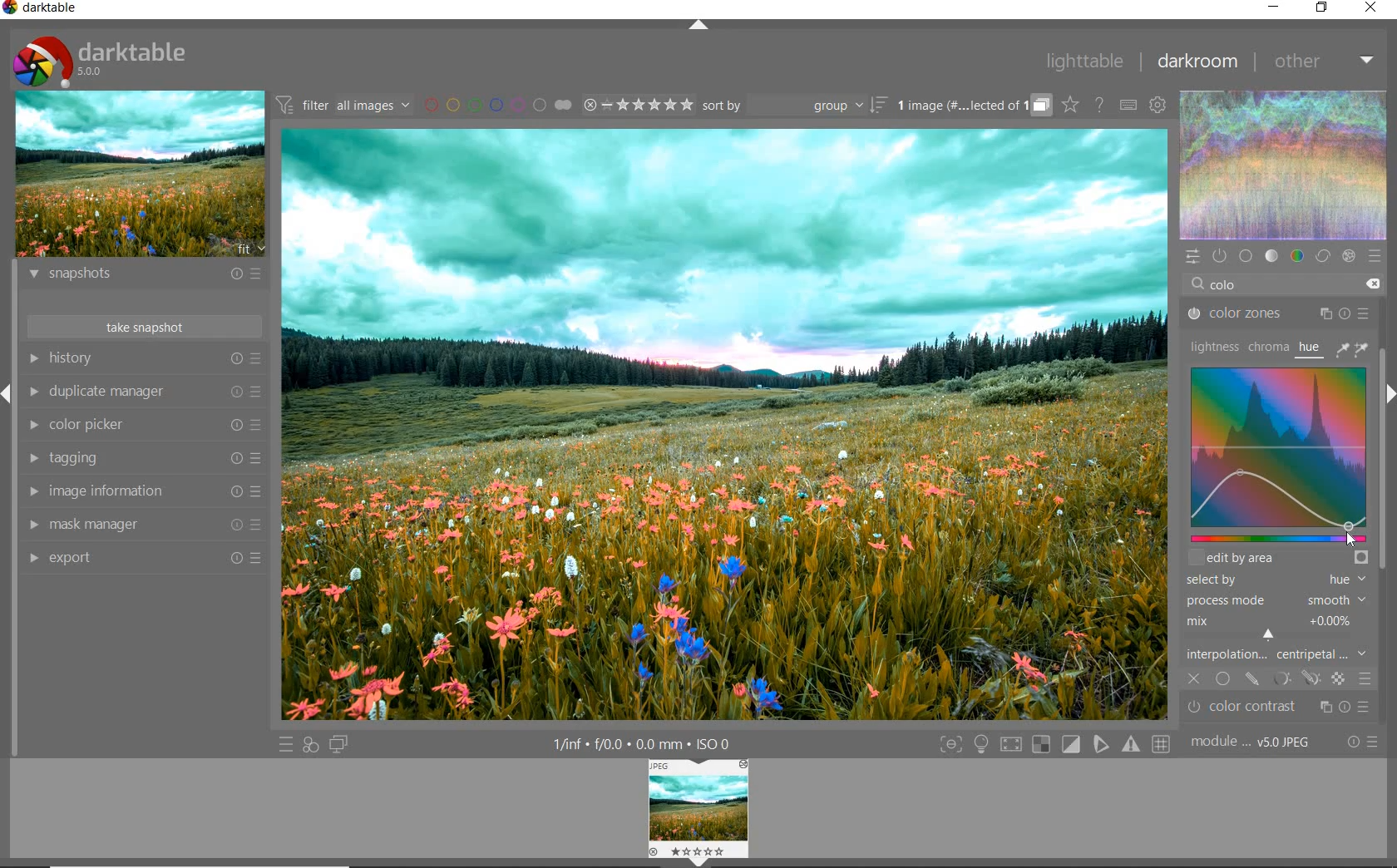 The image size is (1397, 868). Describe the element at coordinates (1069, 104) in the screenshot. I see `click to change overlays on thumbnails` at that location.